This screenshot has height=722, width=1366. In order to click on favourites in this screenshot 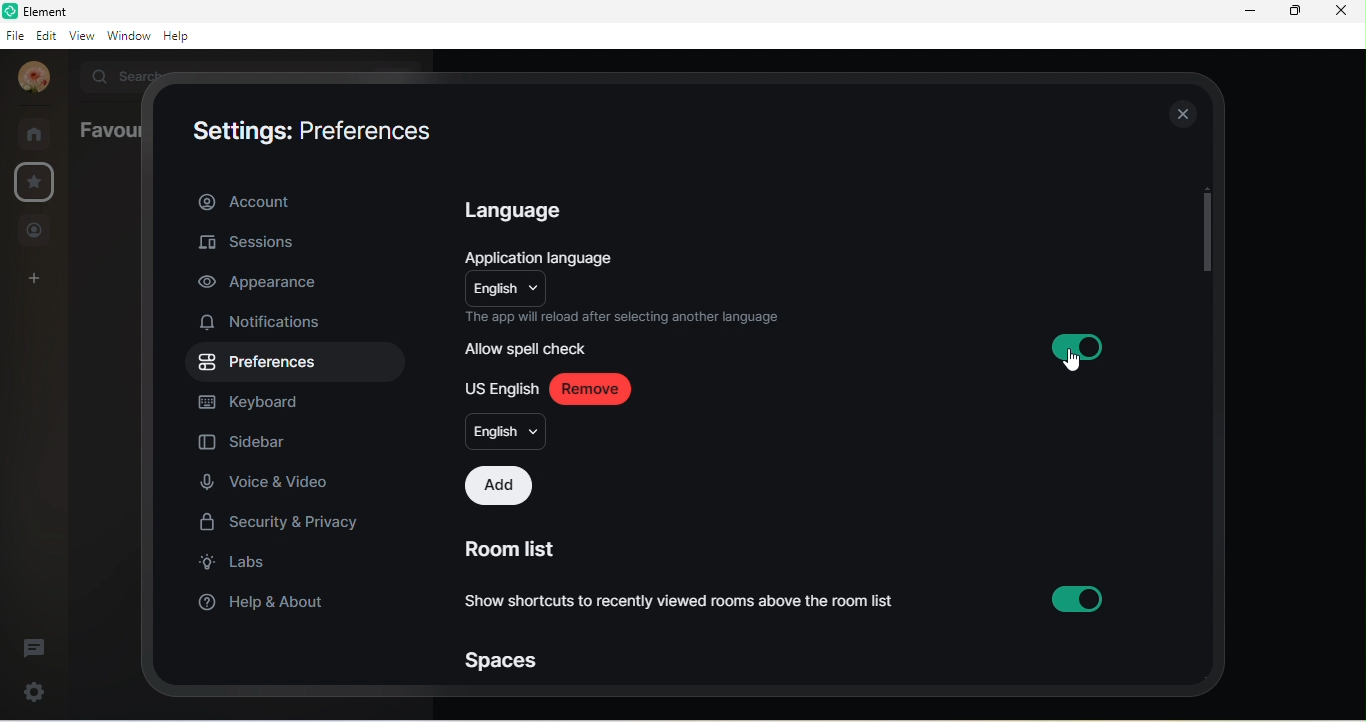, I will do `click(105, 134)`.